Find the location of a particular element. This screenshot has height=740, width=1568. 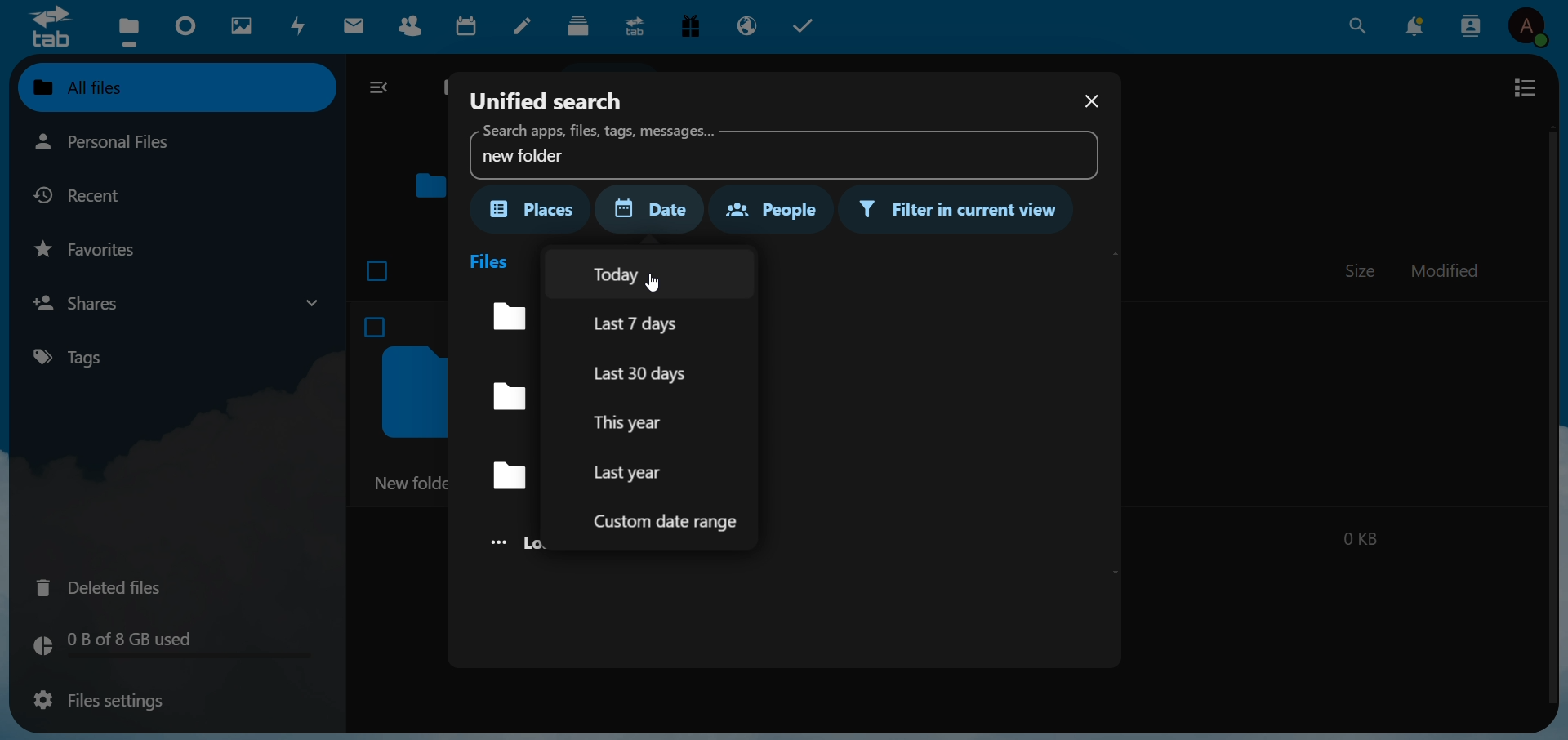

dashboard is located at coordinates (187, 27).